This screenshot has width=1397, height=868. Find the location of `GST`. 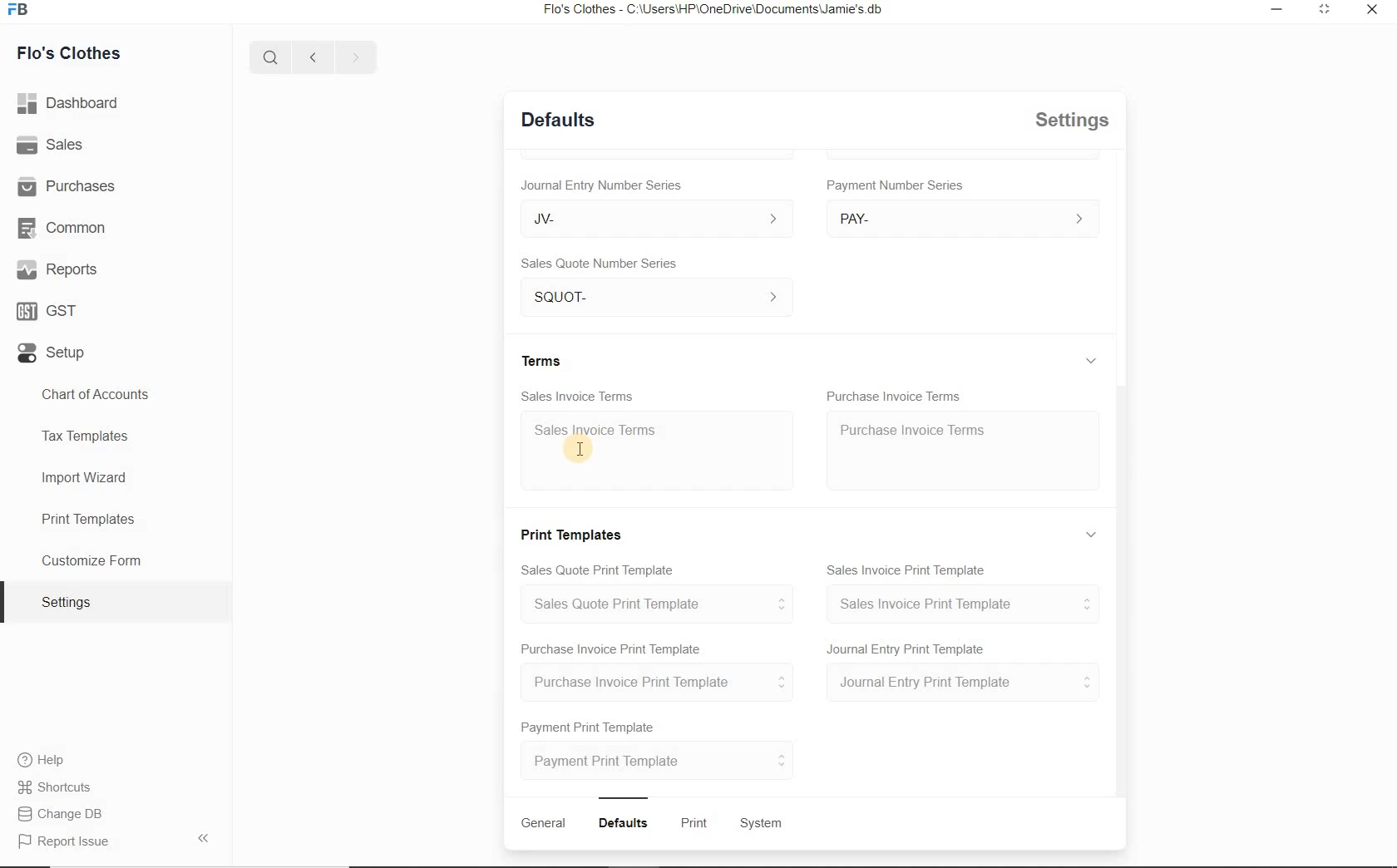

GST is located at coordinates (46, 312).